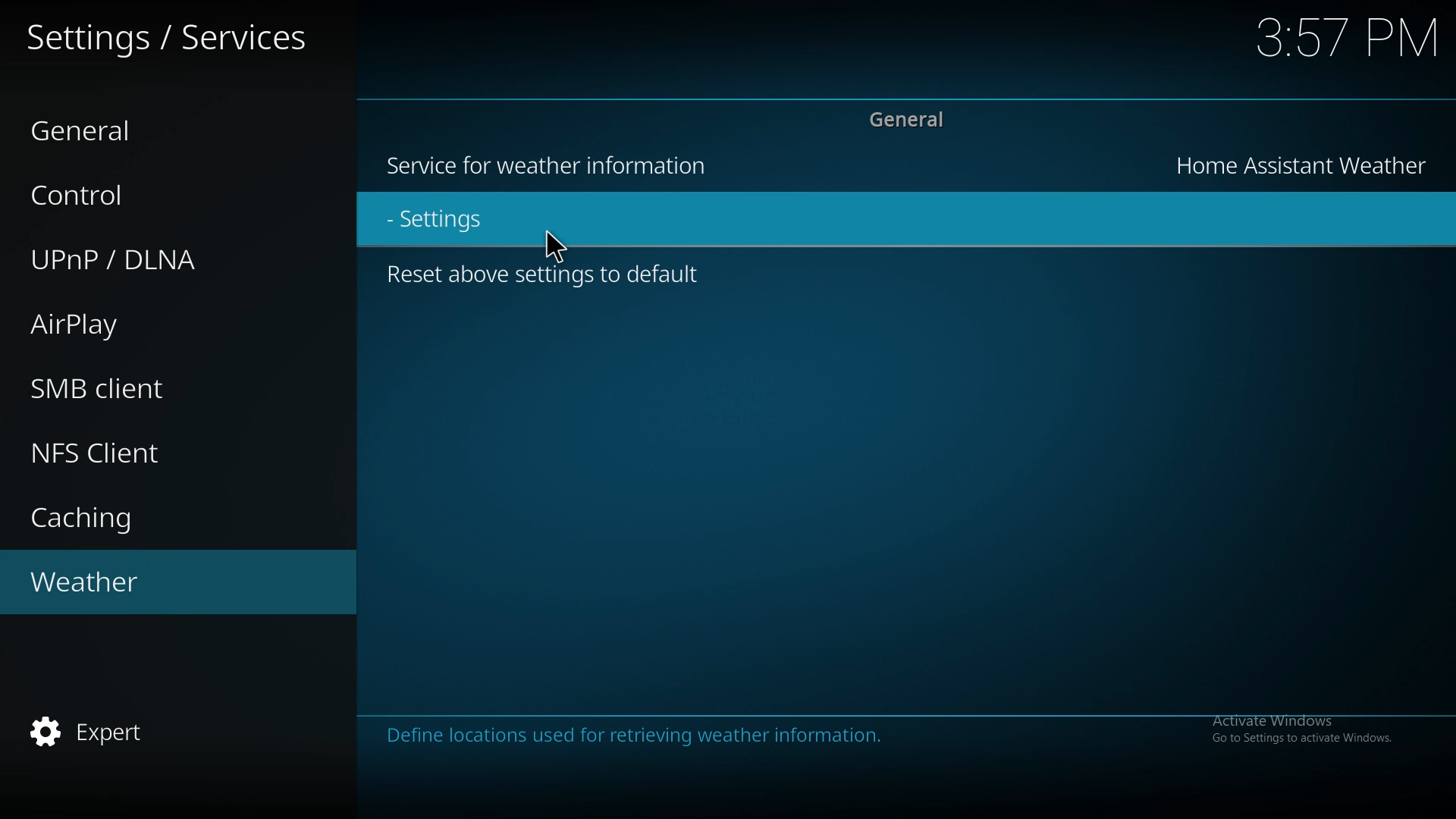 This screenshot has width=1456, height=819. I want to click on settings, so click(457, 220).